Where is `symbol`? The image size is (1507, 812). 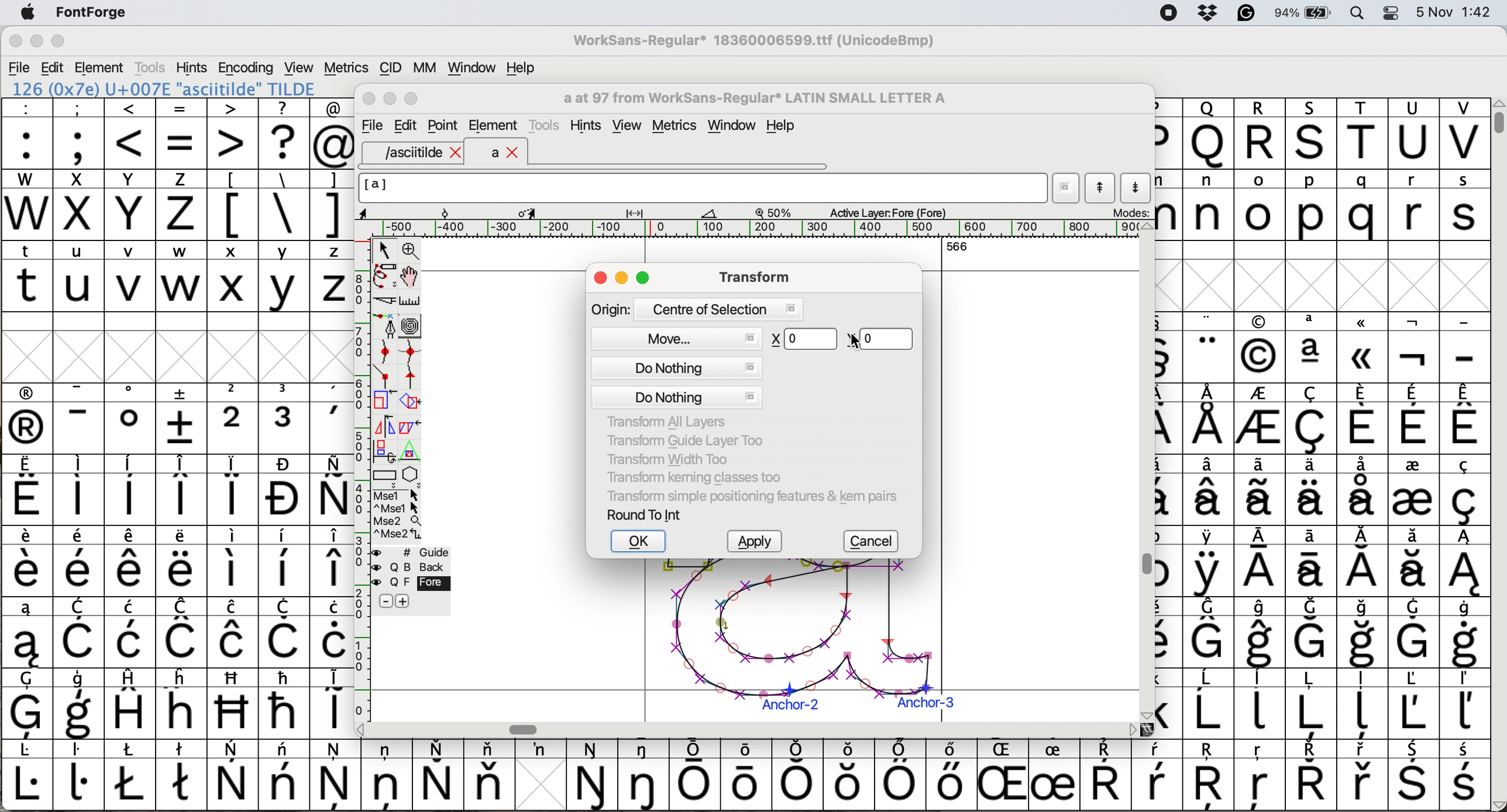
symbol is located at coordinates (130, 775).